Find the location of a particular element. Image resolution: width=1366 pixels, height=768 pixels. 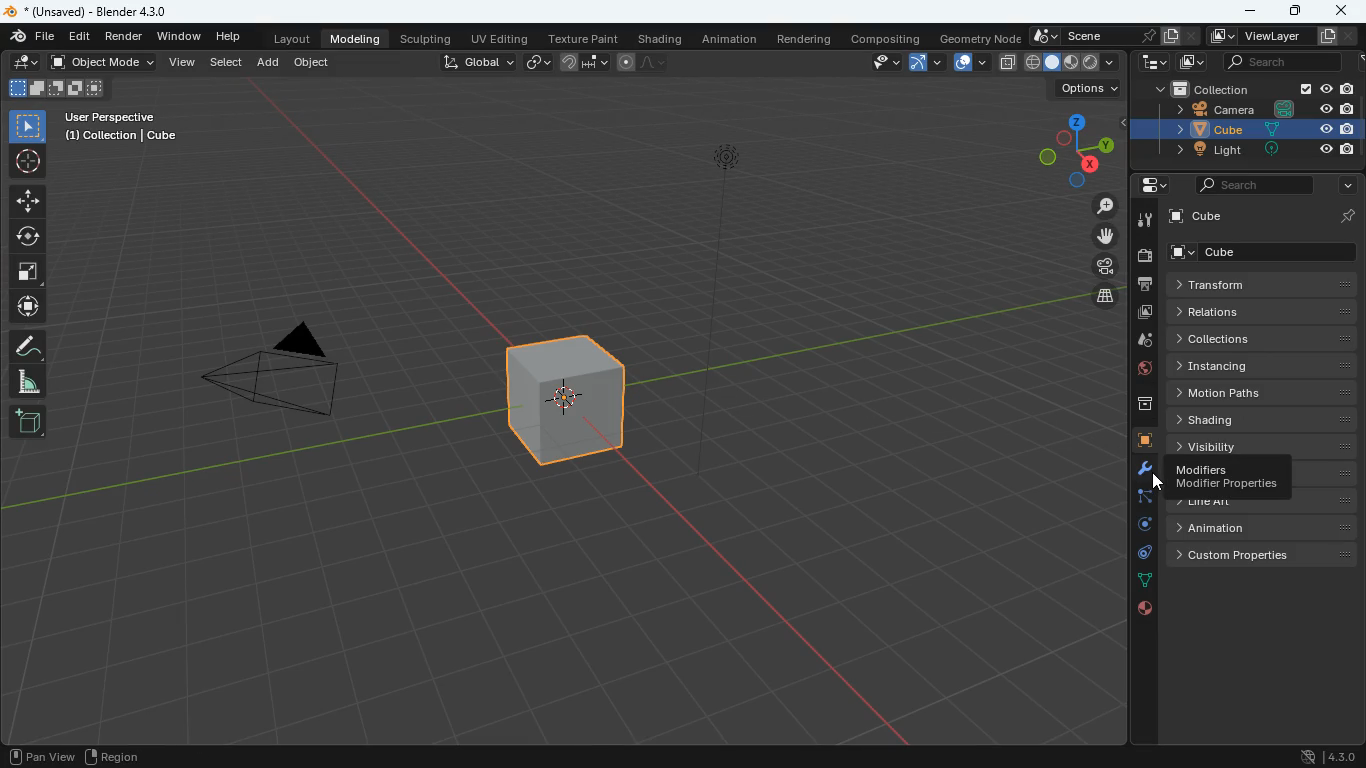

blender is located at coordinates (96, 10).